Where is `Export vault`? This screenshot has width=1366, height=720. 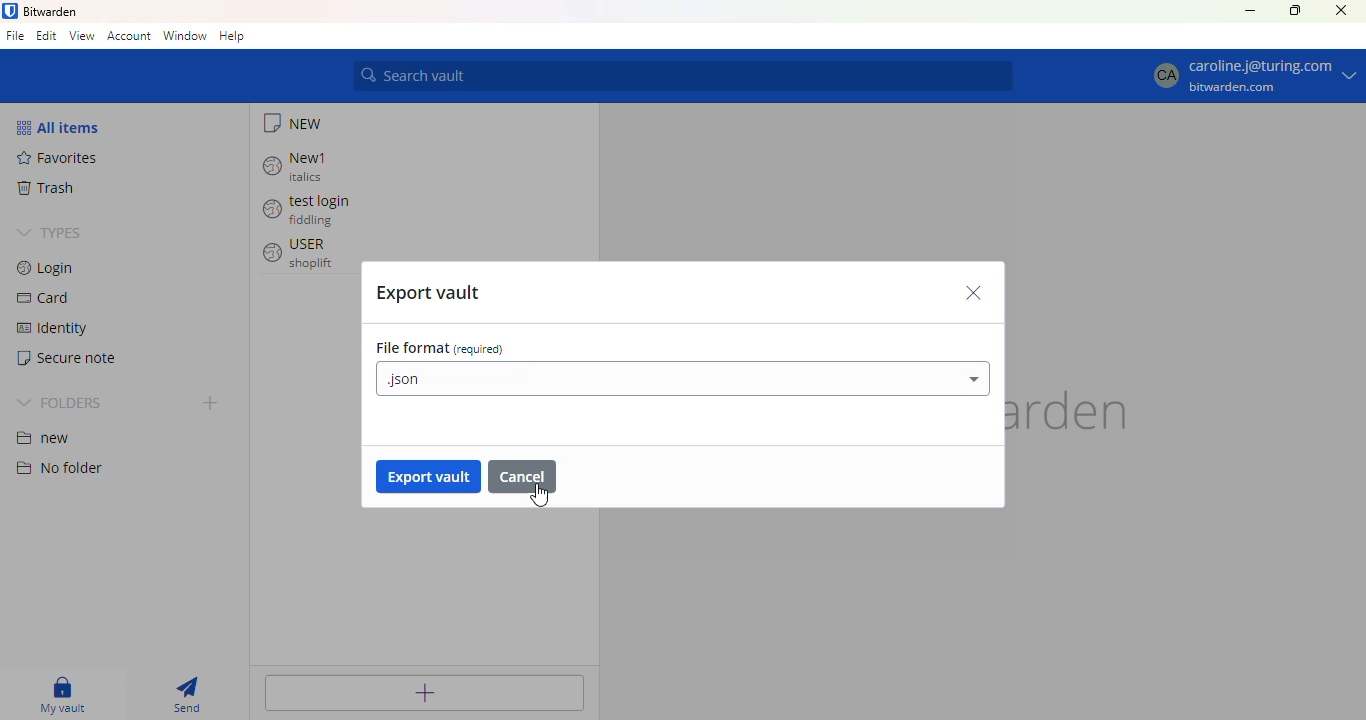
Export vault is located at coordinates (427, 293).